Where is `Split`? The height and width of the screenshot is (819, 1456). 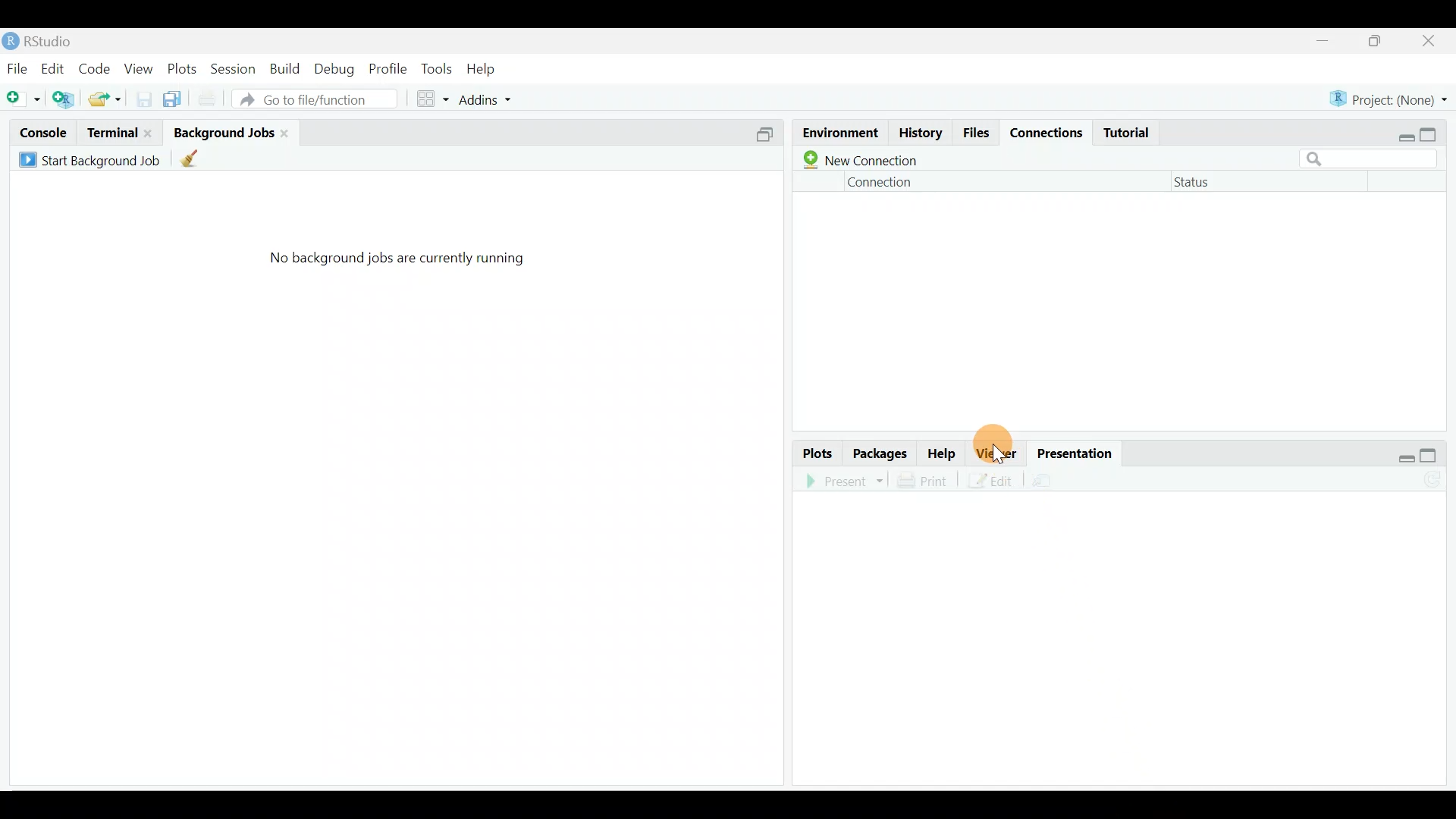 Split is located at coordinates (764, 137).